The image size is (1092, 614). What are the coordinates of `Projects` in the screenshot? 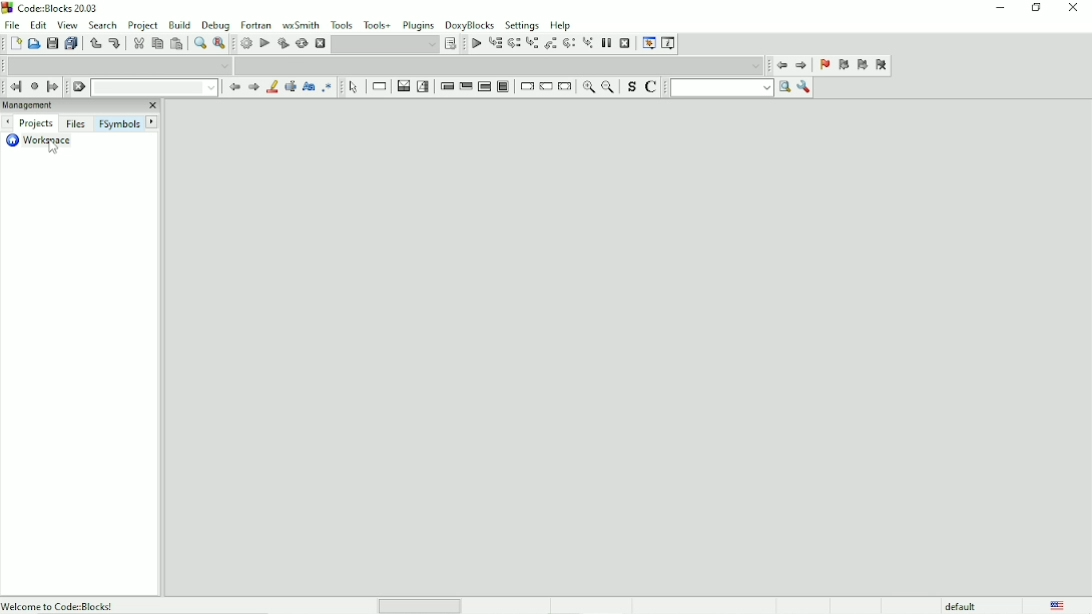 It's located at (38, 123).